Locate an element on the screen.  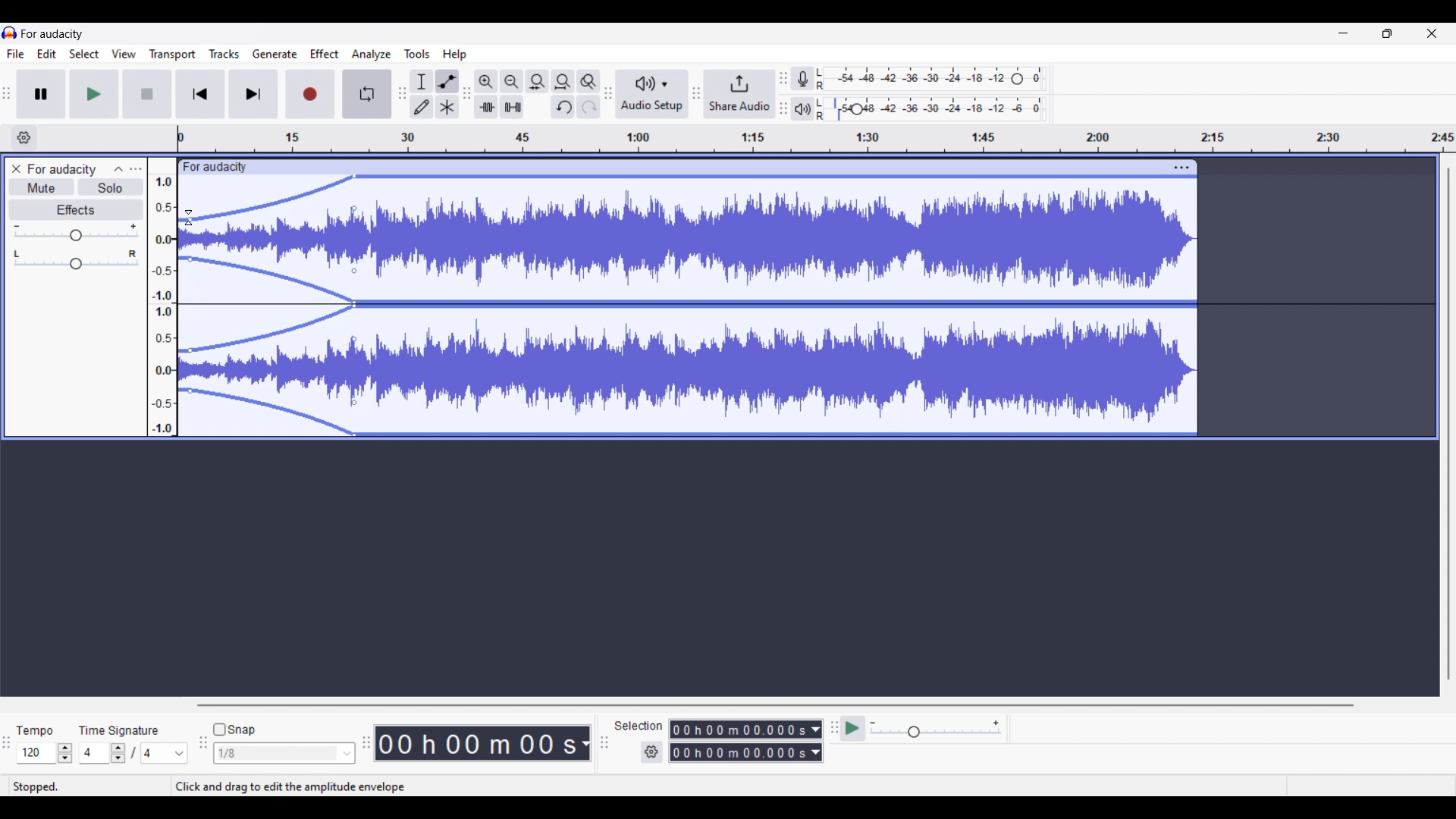
trim audio outside selection is located at coordinates (486, 107).